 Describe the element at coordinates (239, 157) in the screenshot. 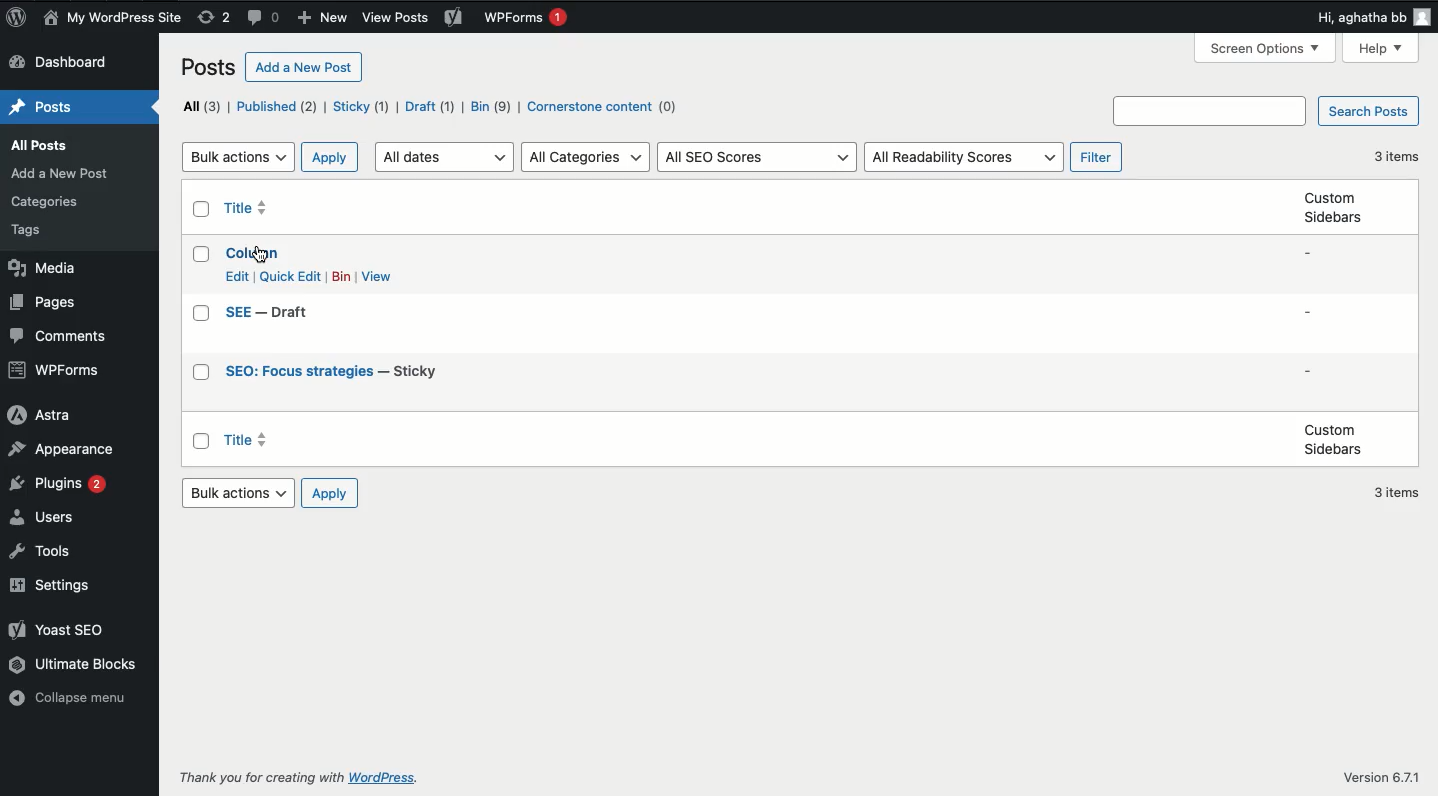

I see `Bulk actions` at that location.